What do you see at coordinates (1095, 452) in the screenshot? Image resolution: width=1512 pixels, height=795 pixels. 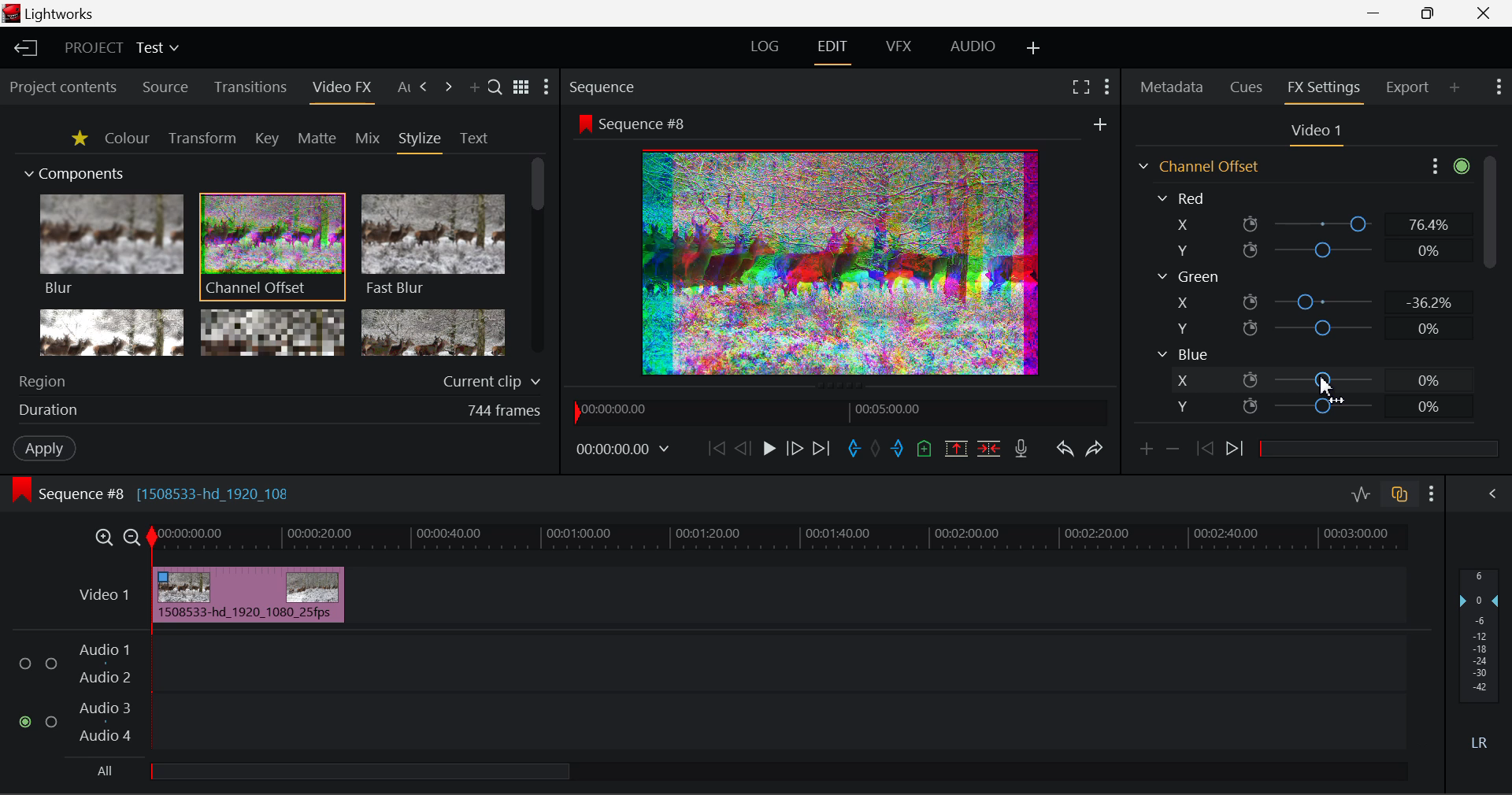 I see `Redo` at bounding box center [1095, 452].